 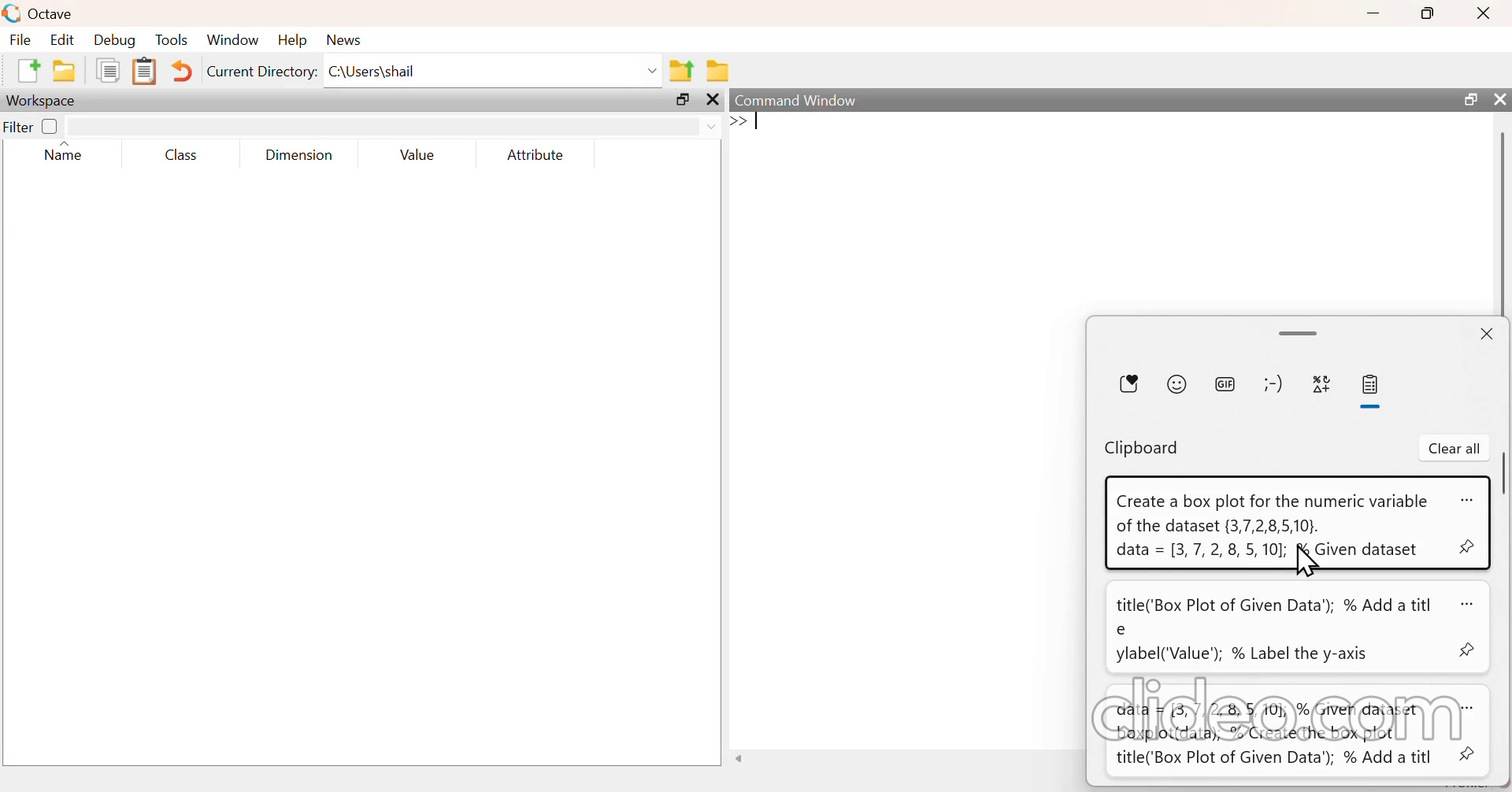 What do you see at coordinates (1503, 220) in the screenshot?
I see `scrollbar` at bounding box center [1503, 220].